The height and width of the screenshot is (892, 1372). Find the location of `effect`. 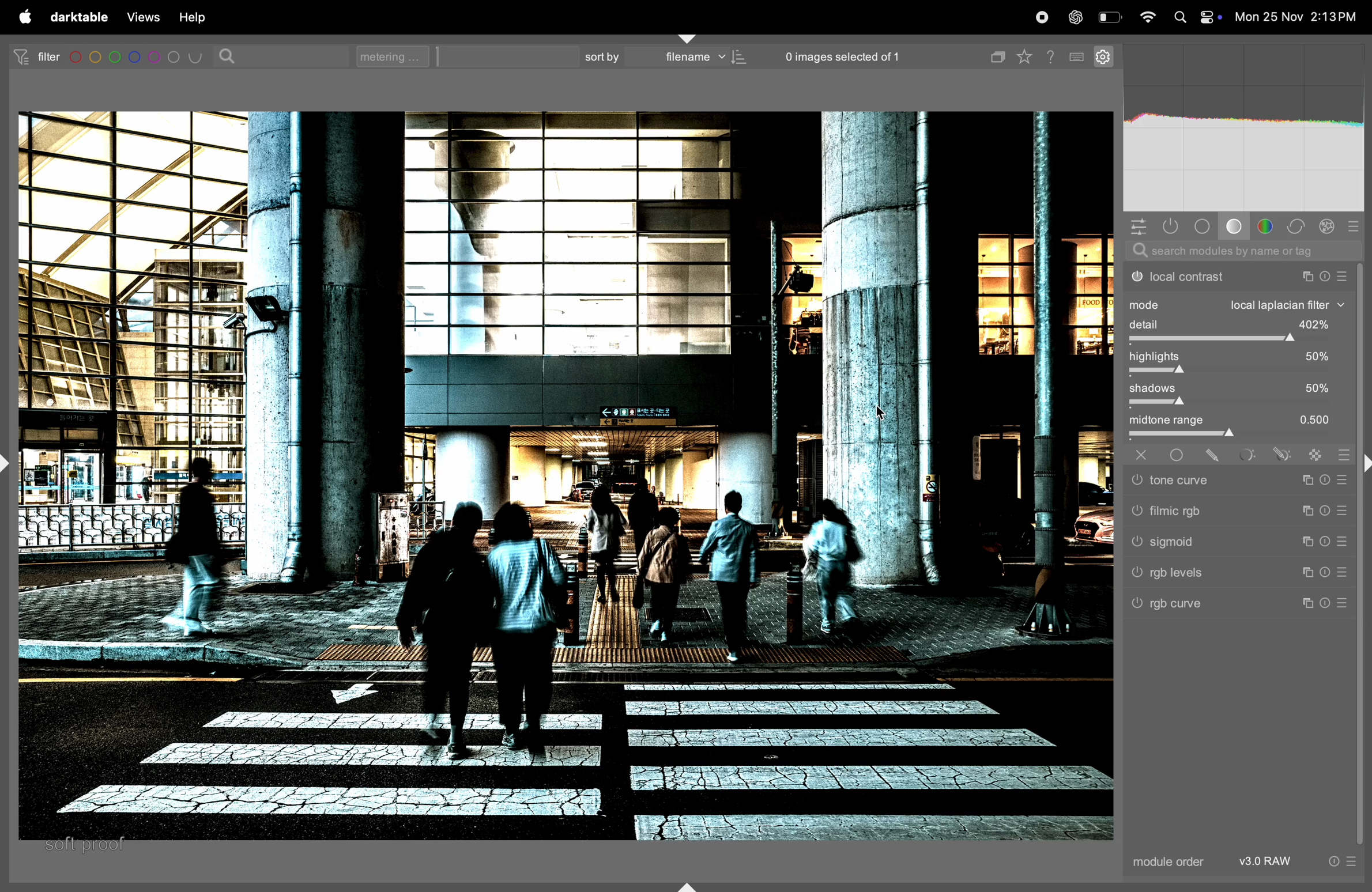

effect is located at coordinates (1327, 225).